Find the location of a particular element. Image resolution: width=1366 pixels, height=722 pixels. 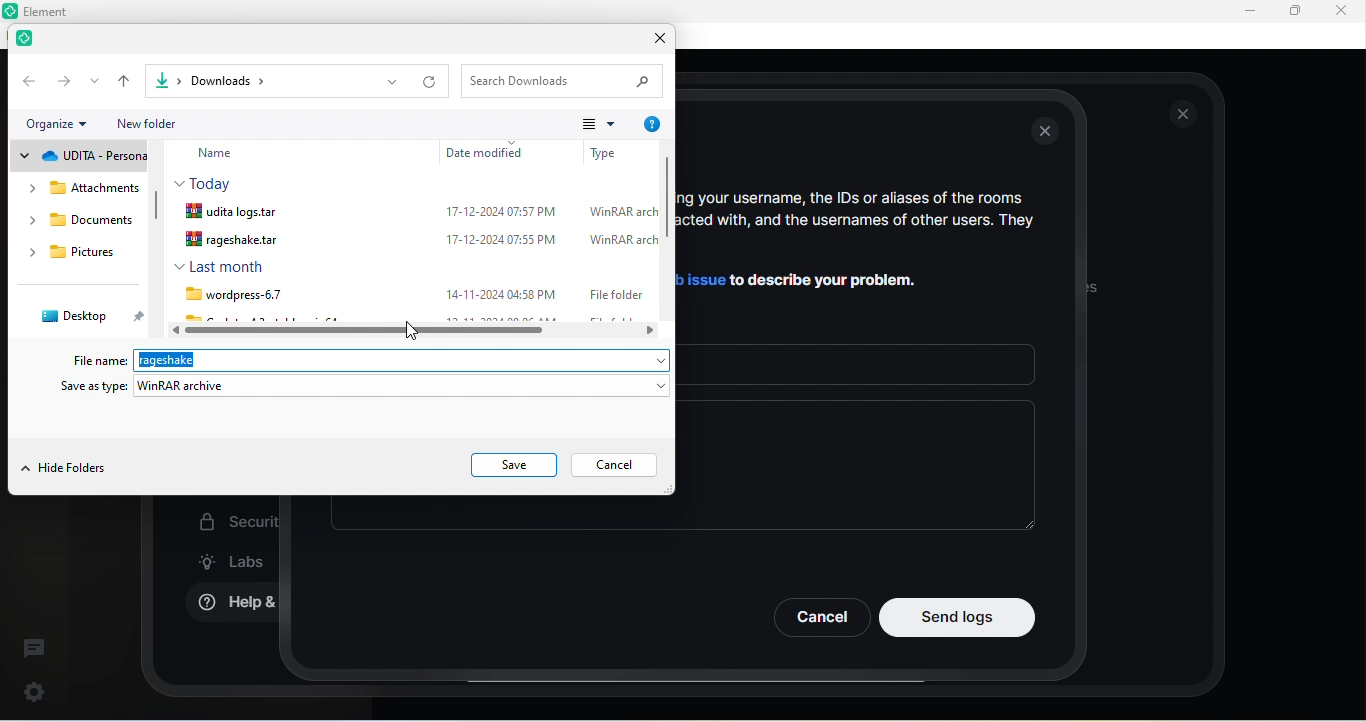

change view is located at coordinates (598, 123).